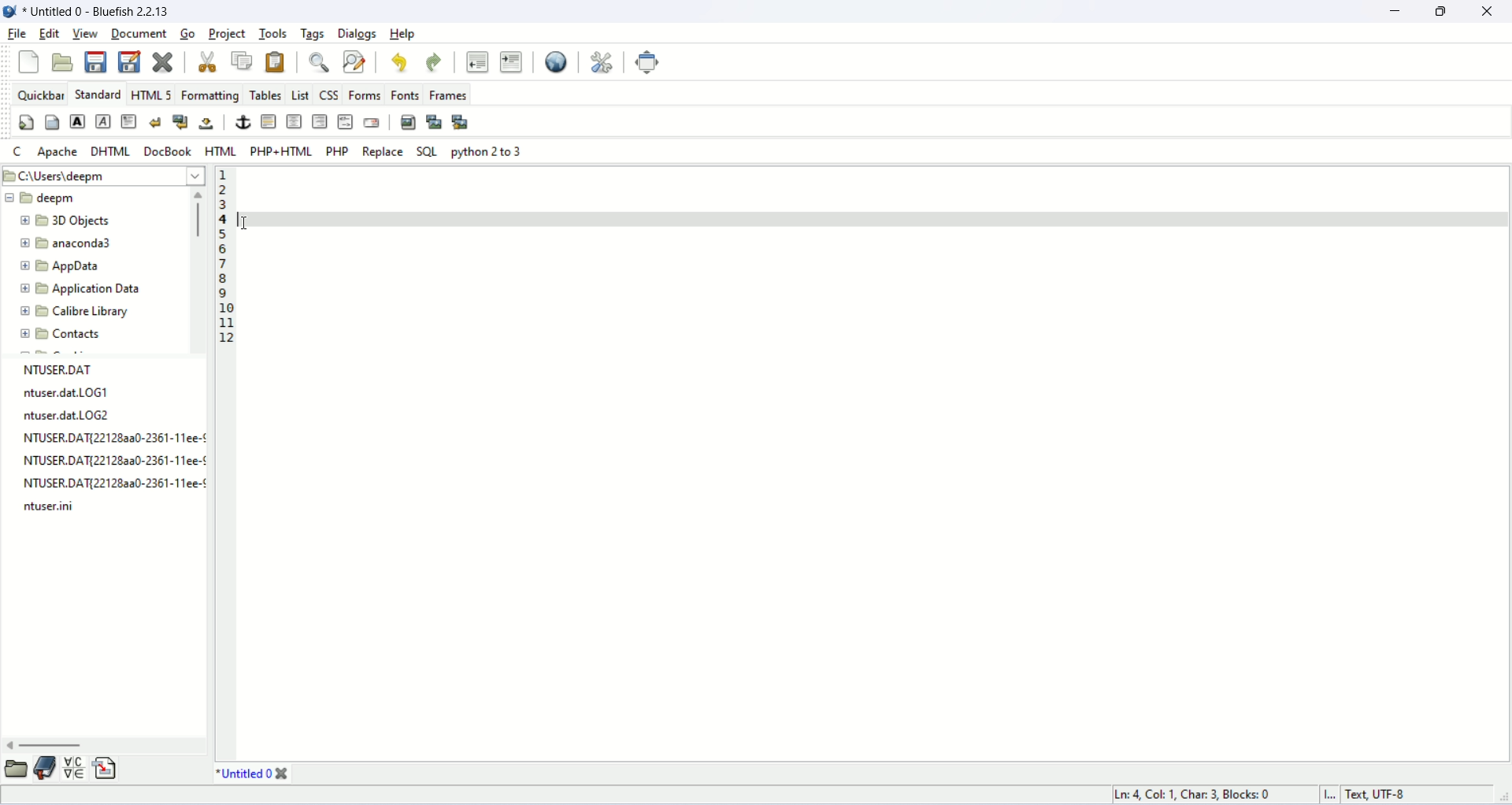  Describe the element at coordinates (76, 121) in the screenshot. I see `strong` at that location.